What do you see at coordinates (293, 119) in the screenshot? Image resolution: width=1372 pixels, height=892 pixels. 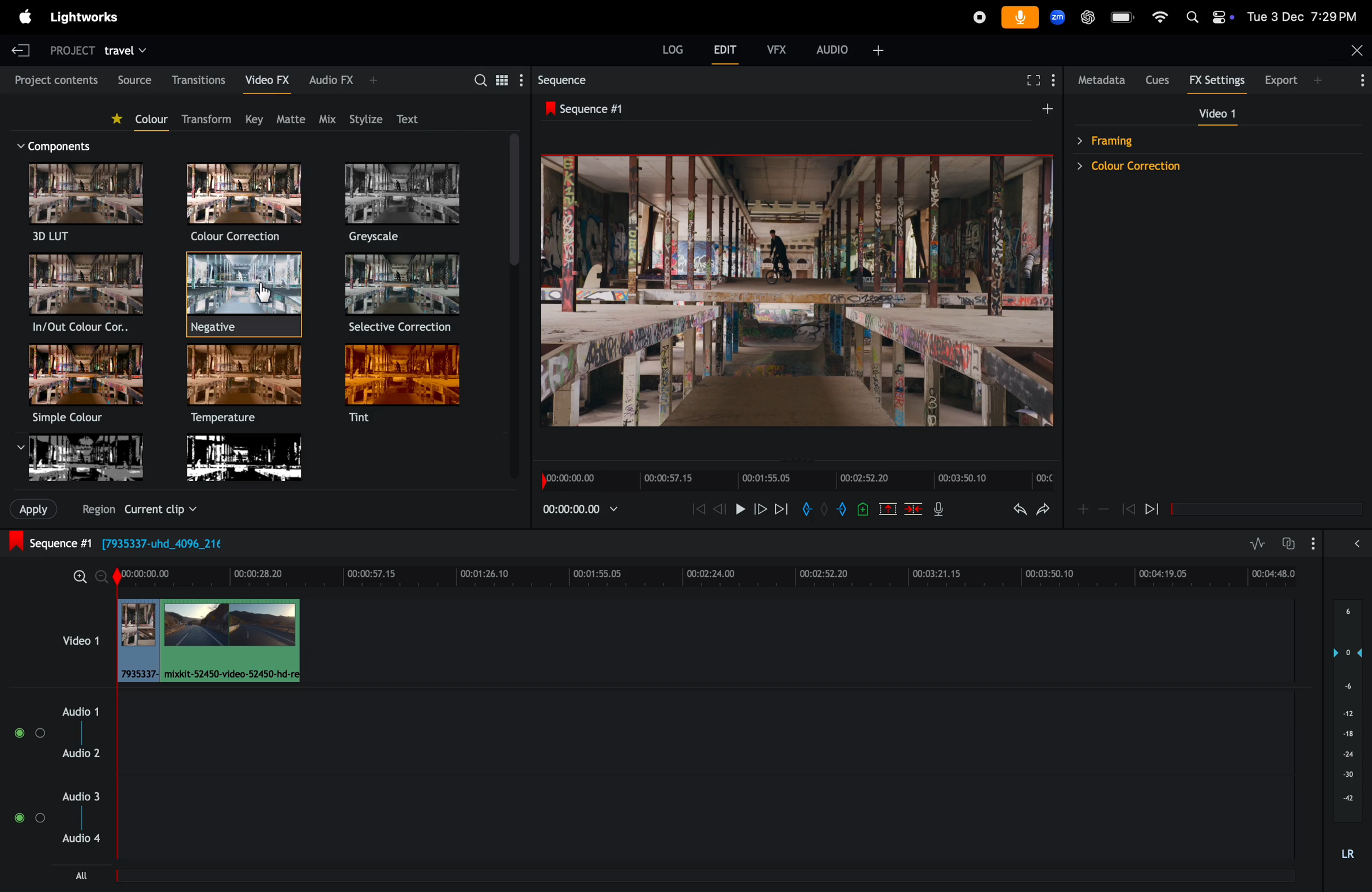 I see `matte` at bounding box center [293, 119].